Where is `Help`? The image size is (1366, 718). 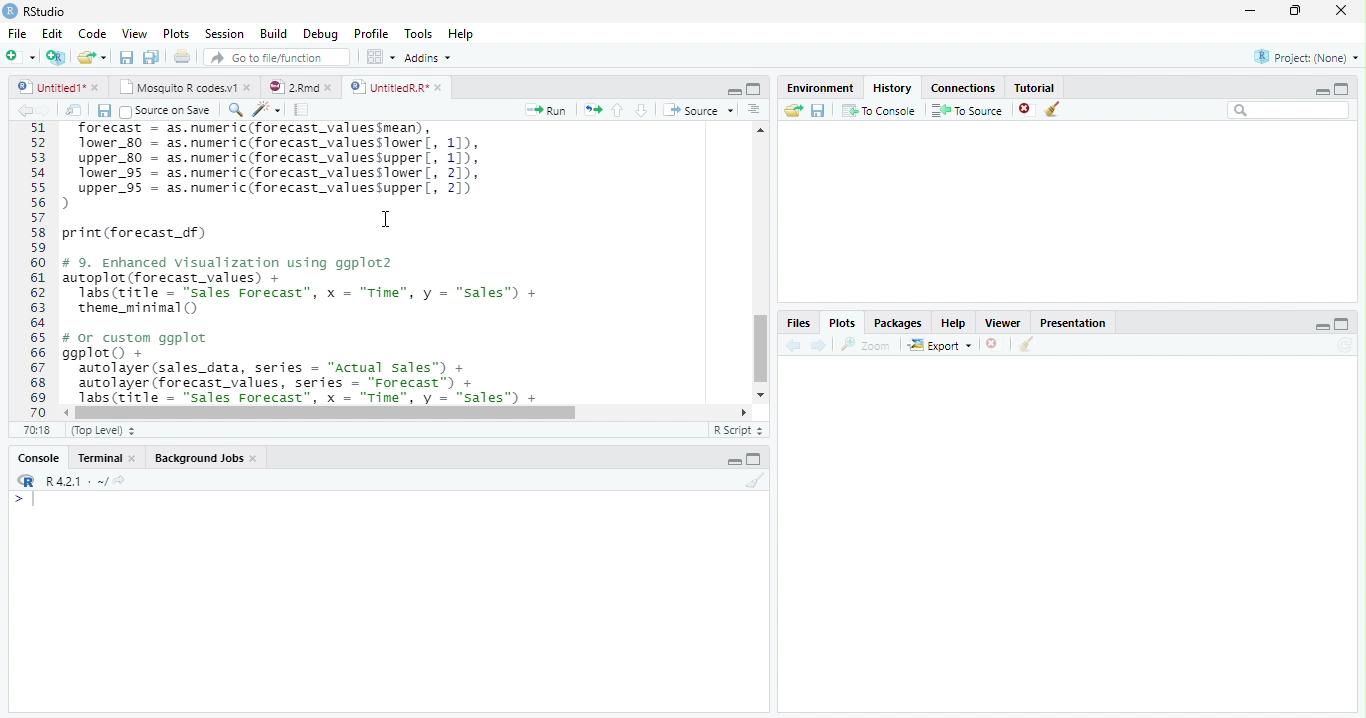
Help is located at coordinates (460, 33).